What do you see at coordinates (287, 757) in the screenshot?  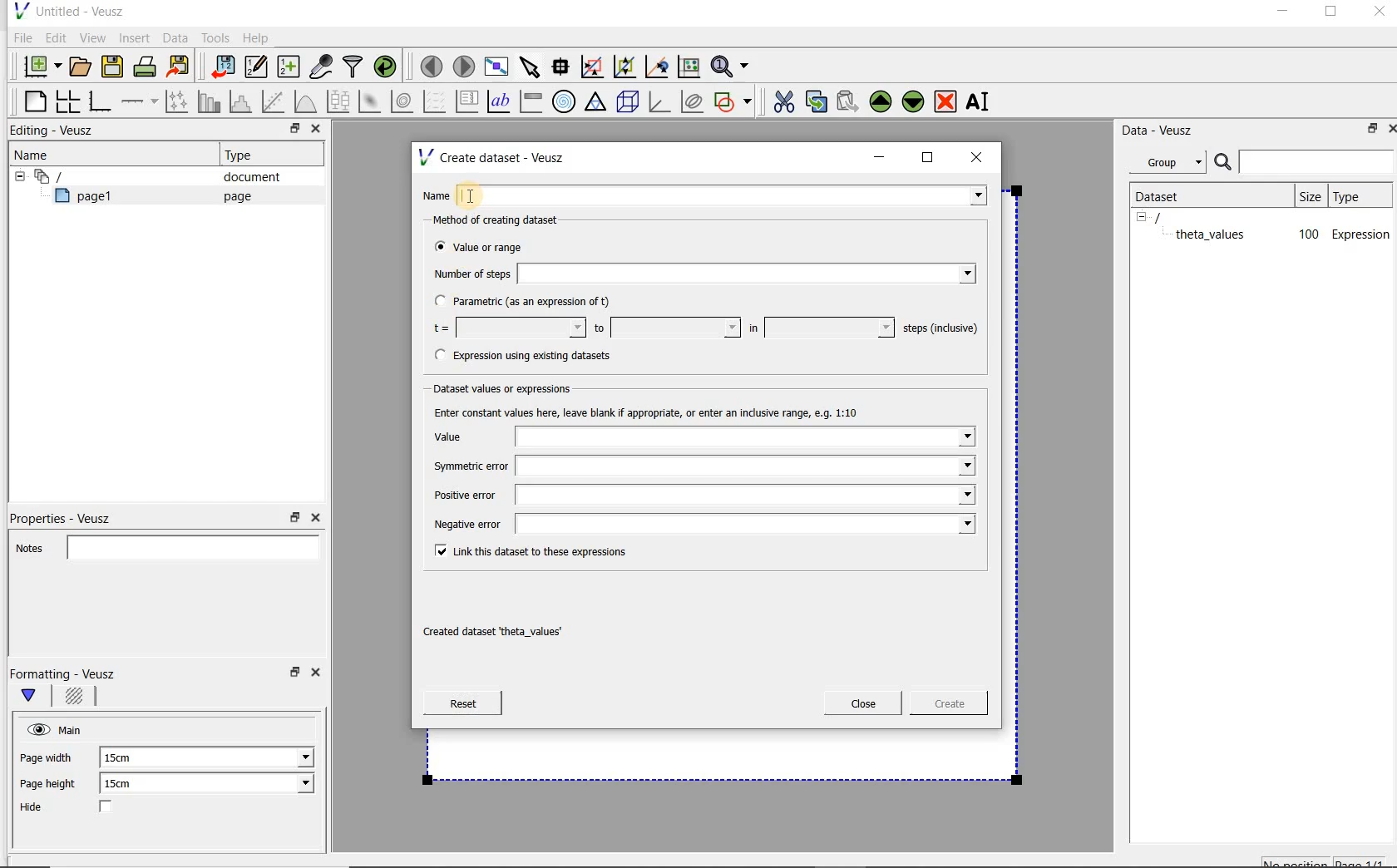 I see `Page width dropdown` at bounding box center [287, 757].